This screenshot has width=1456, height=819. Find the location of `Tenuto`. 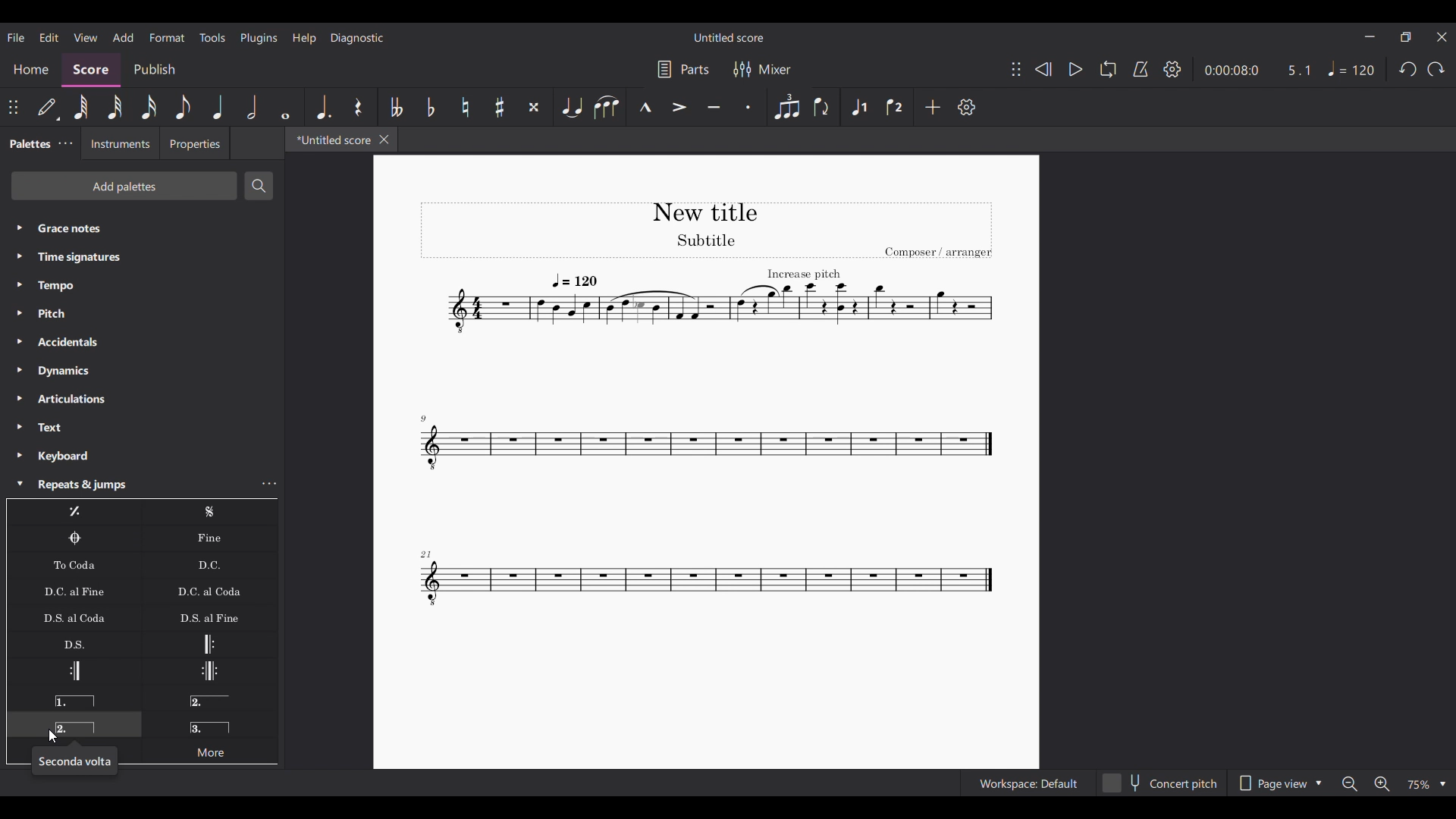

Tenuto is located at coordinates (714, 107).